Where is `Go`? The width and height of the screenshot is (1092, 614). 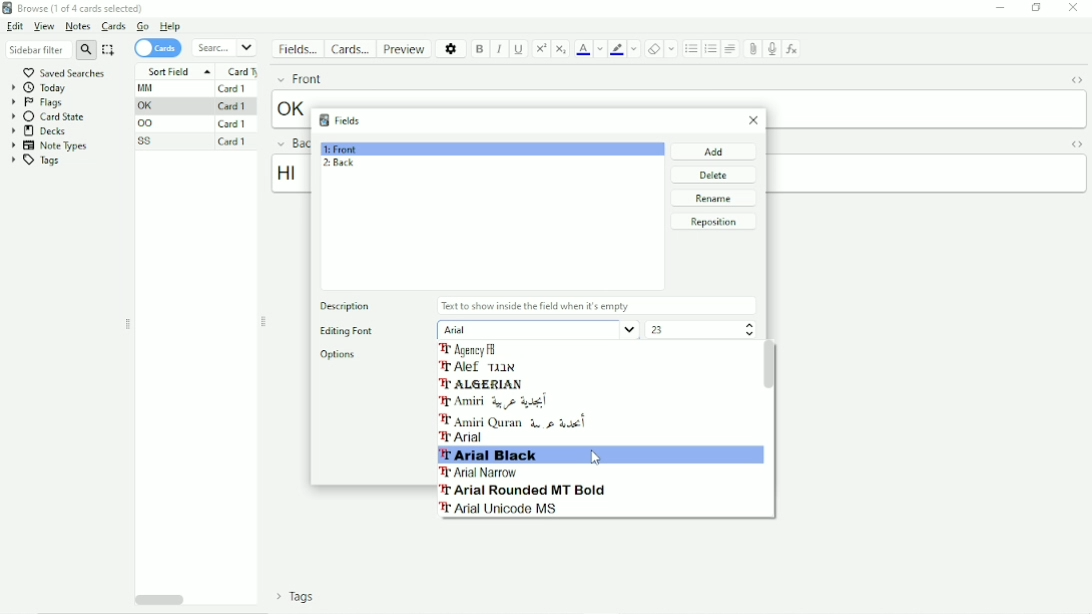 Go is located at coordinates (143, 26).